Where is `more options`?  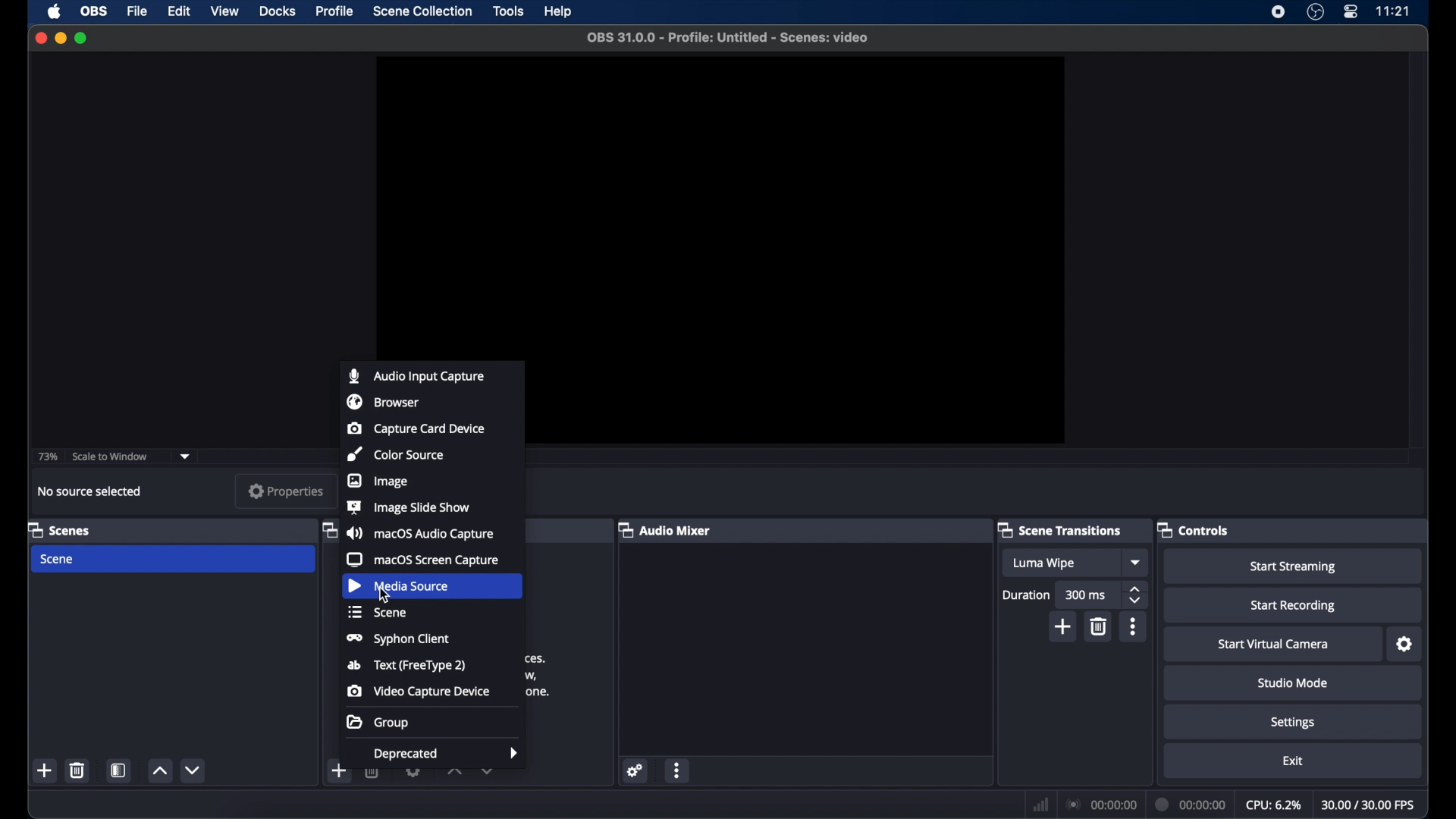
more options is located at coordinates (1133, 626).